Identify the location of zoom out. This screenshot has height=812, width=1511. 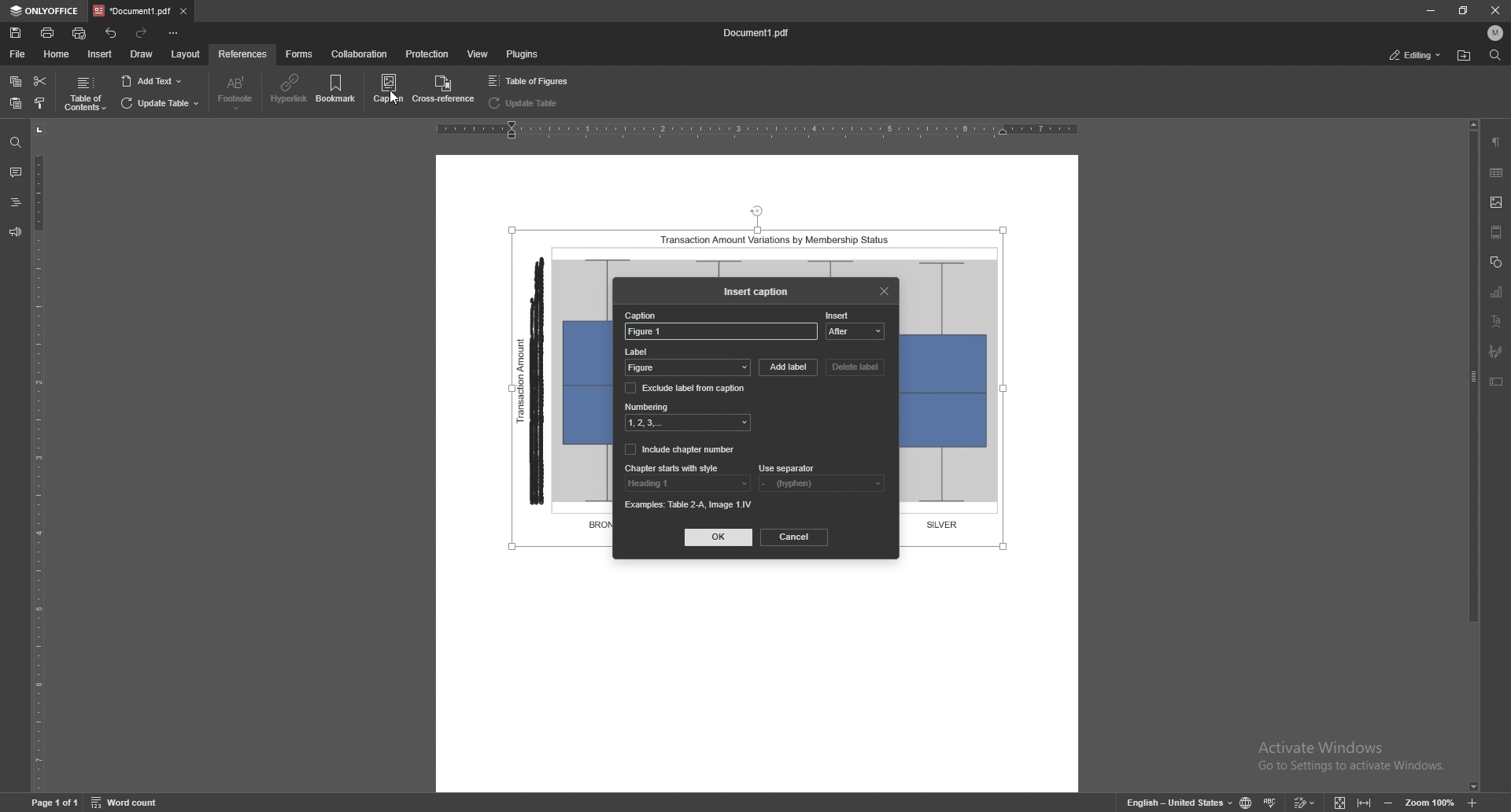
(1389, 801).